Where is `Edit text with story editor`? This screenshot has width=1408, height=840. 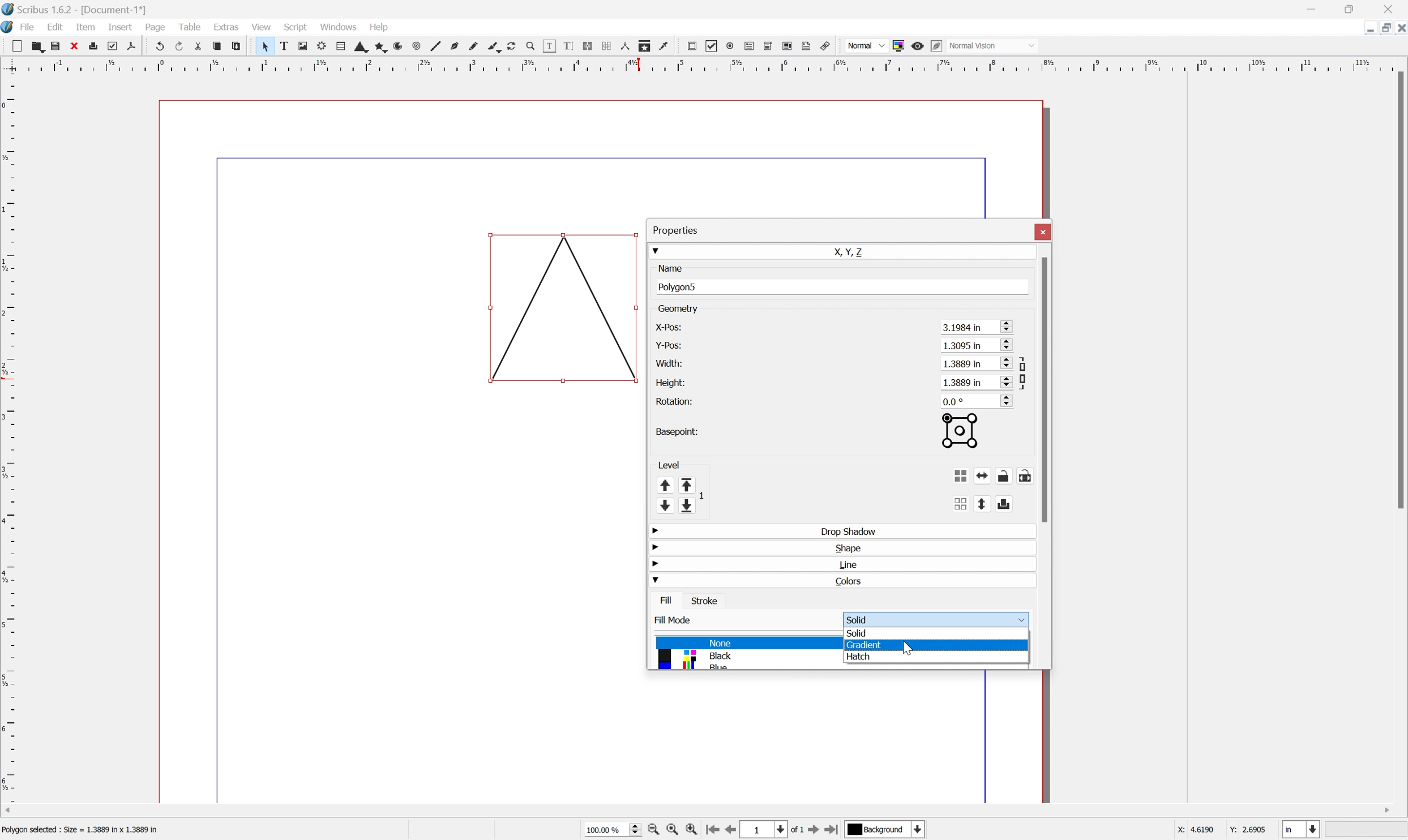
Edit text with story editor is located at coordinates (564, 47).